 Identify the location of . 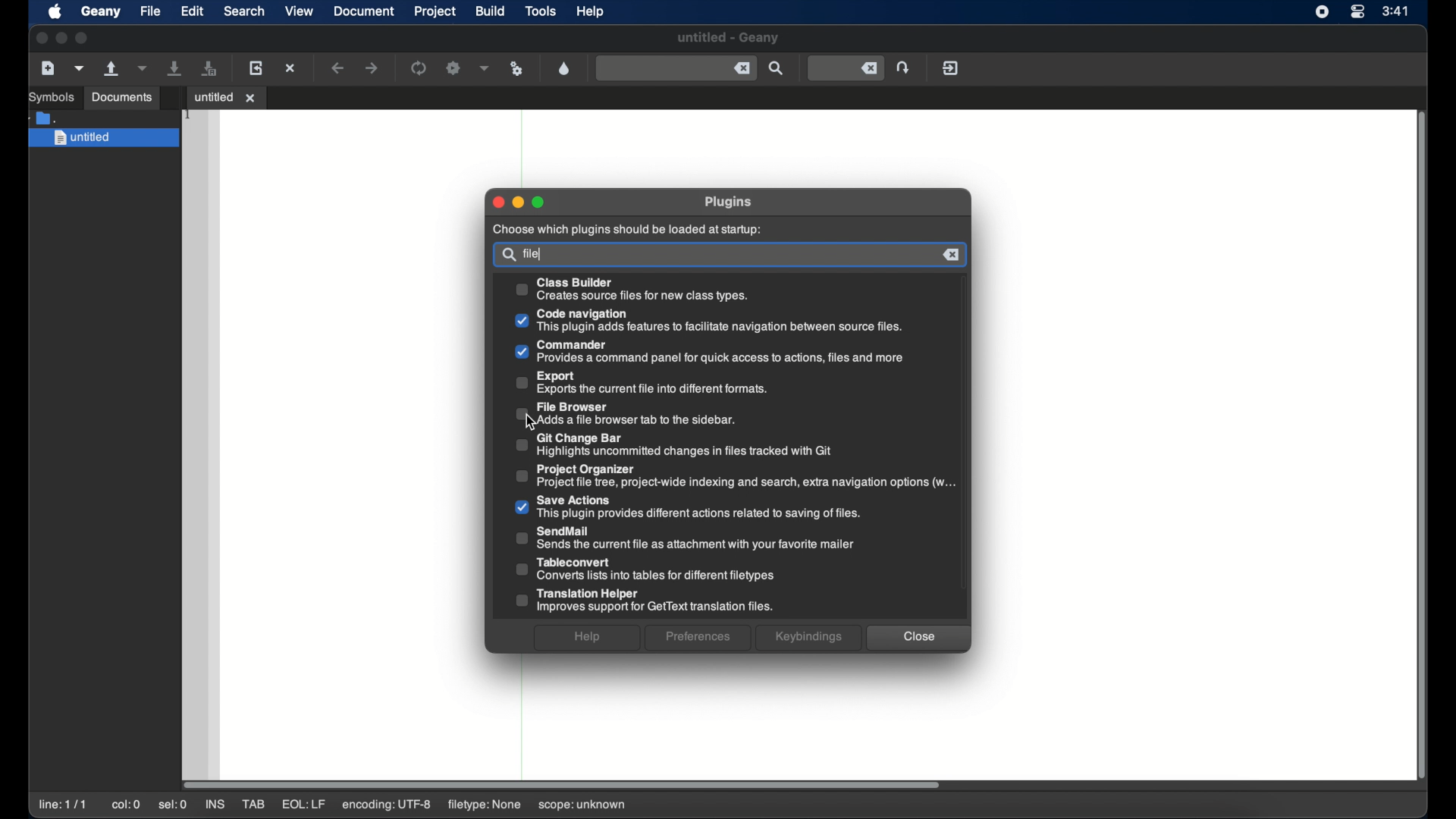
(708, 353).